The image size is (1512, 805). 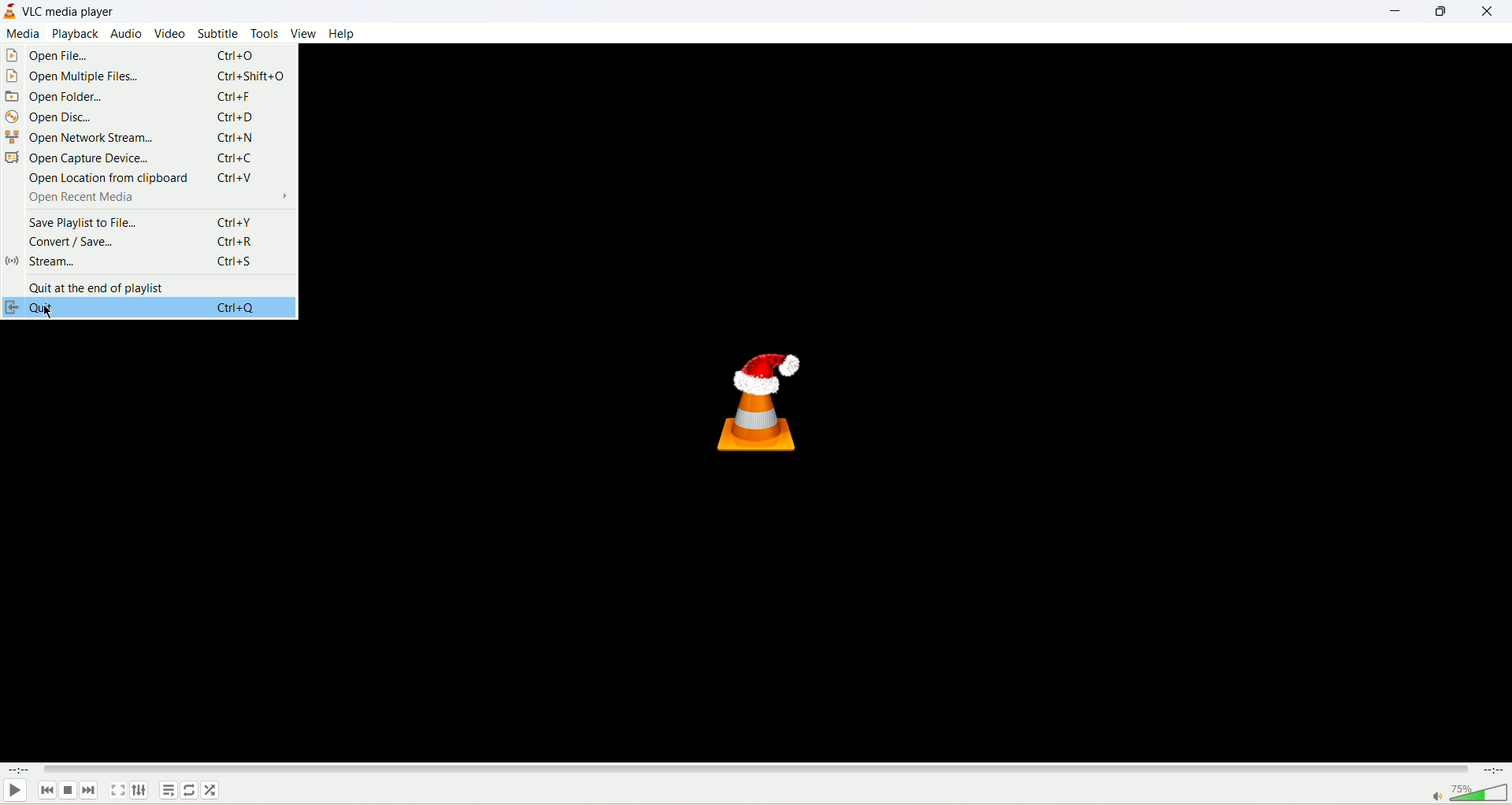 I want to click on playlist, so click(x=170, y=790).